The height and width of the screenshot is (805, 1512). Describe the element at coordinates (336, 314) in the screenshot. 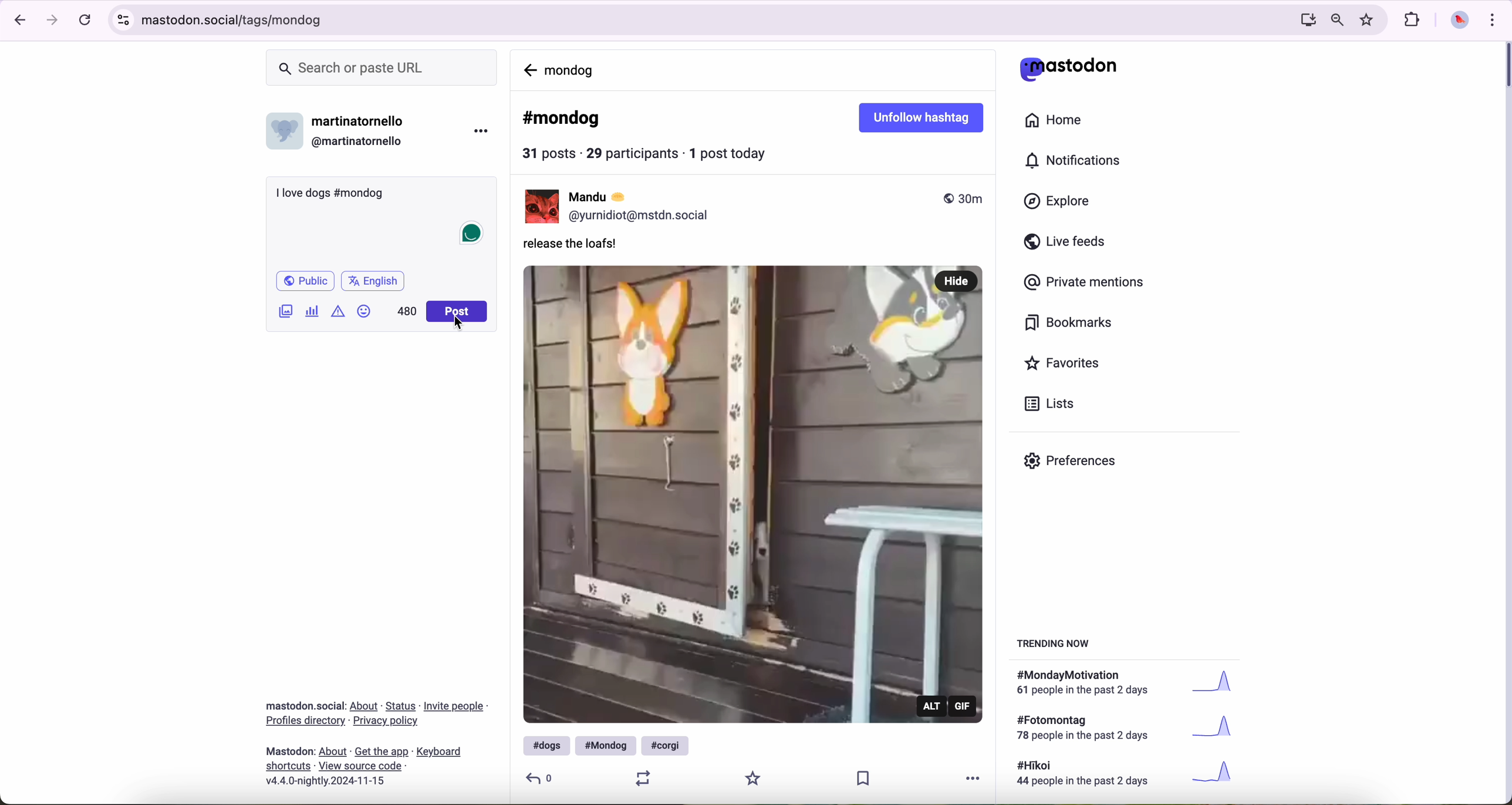

I see `content warning` at that location.